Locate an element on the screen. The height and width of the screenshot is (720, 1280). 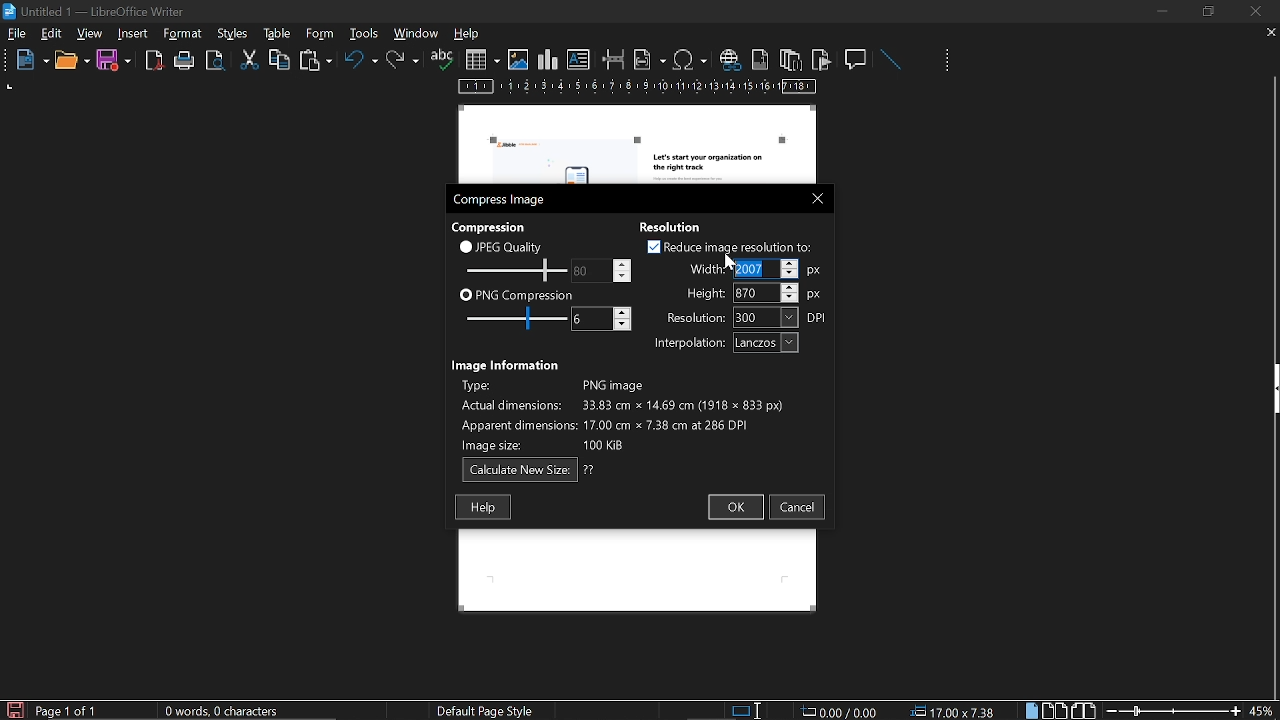
change jpeg quality  is located at coordinates (602, 270).